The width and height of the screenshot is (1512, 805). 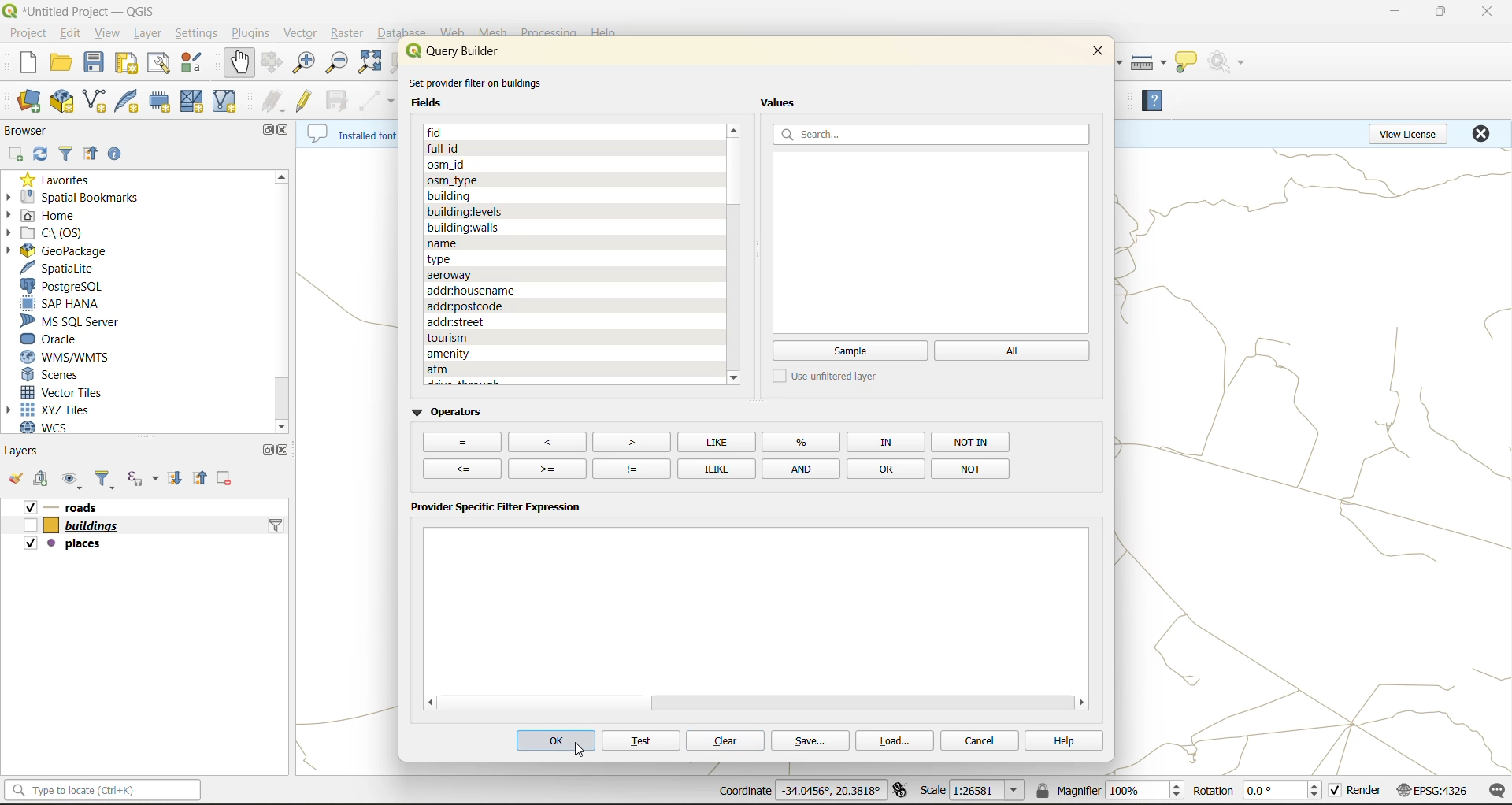 What do you see at coordinates (803, 441) in the screenshot?
I see `opertators` at bounding box center [803, 441].